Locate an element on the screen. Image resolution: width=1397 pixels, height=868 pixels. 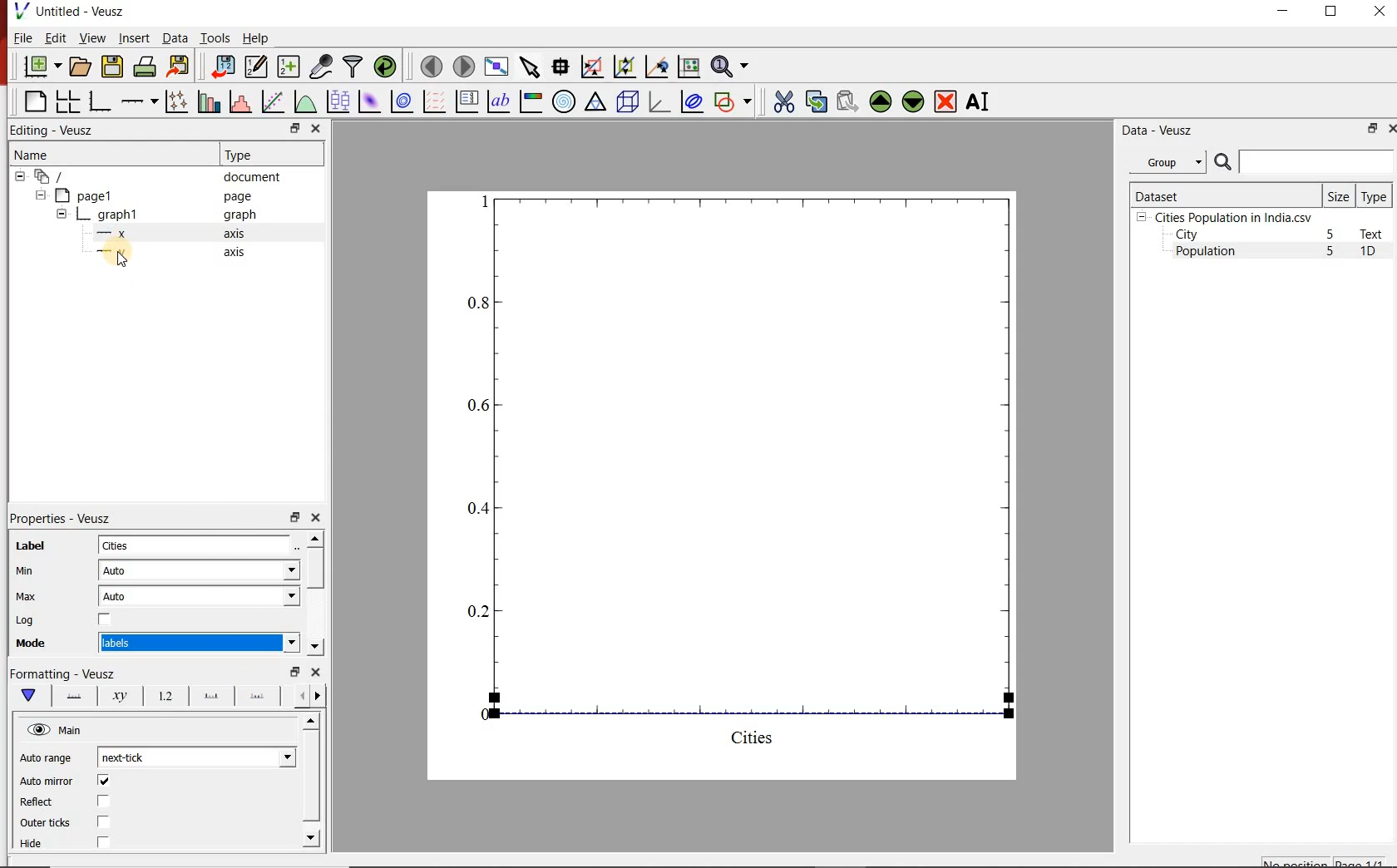
Label is located at coordinates (27, 545).